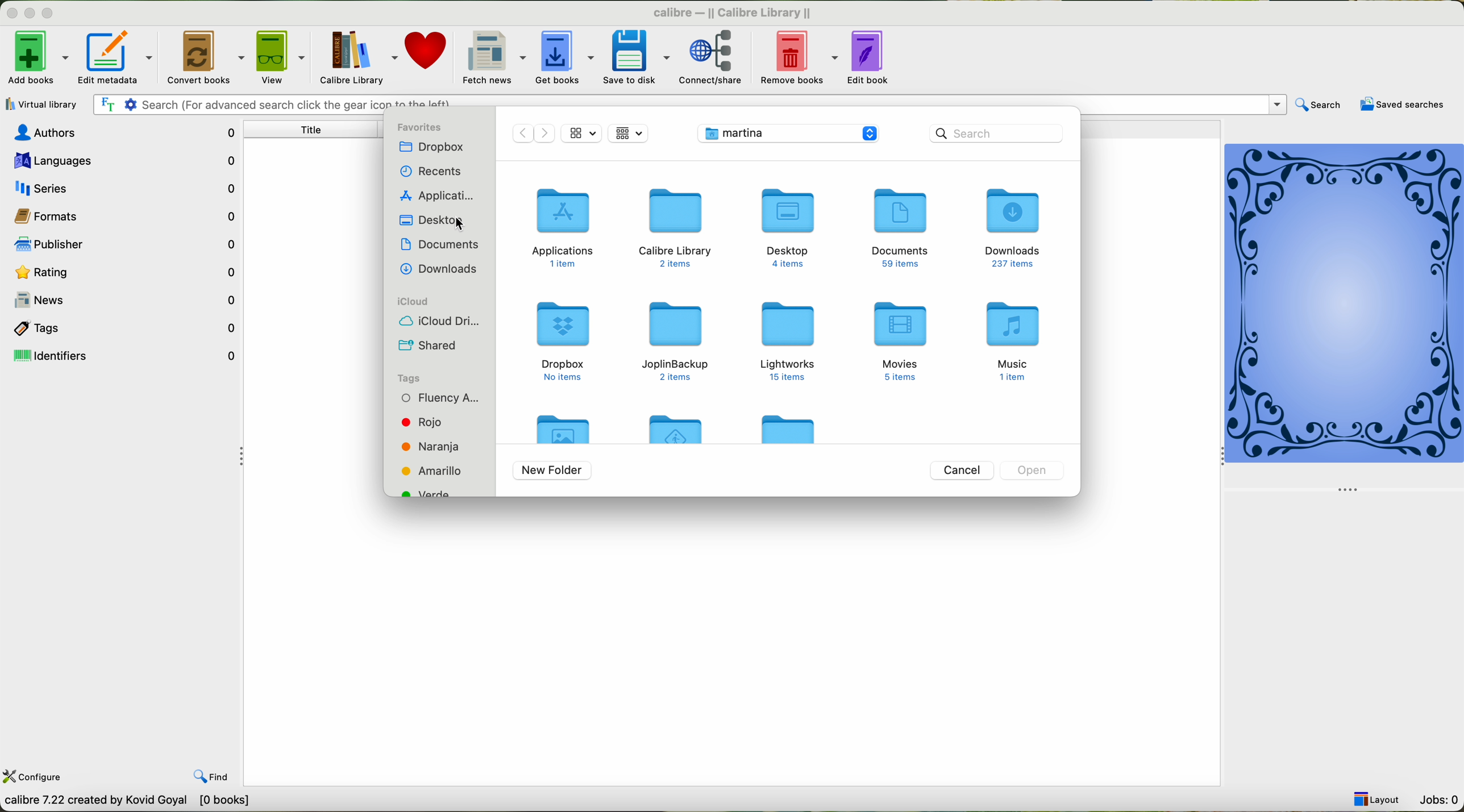  What do you see at coordinates (435, 492) in the screenshot?
I see `green tag` at bounding box center [435, 492].